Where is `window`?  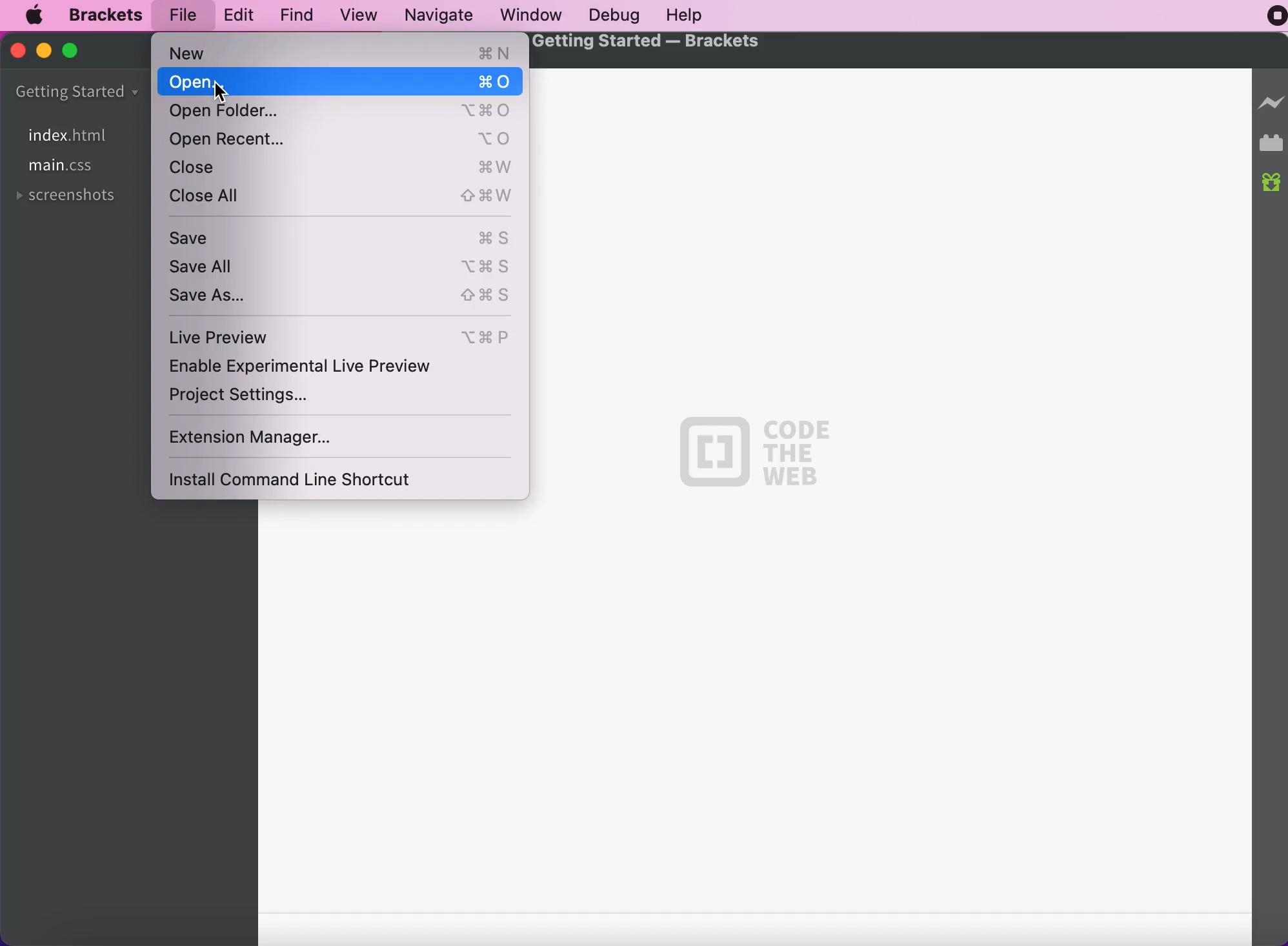 window is located at coordinates (533, 15).